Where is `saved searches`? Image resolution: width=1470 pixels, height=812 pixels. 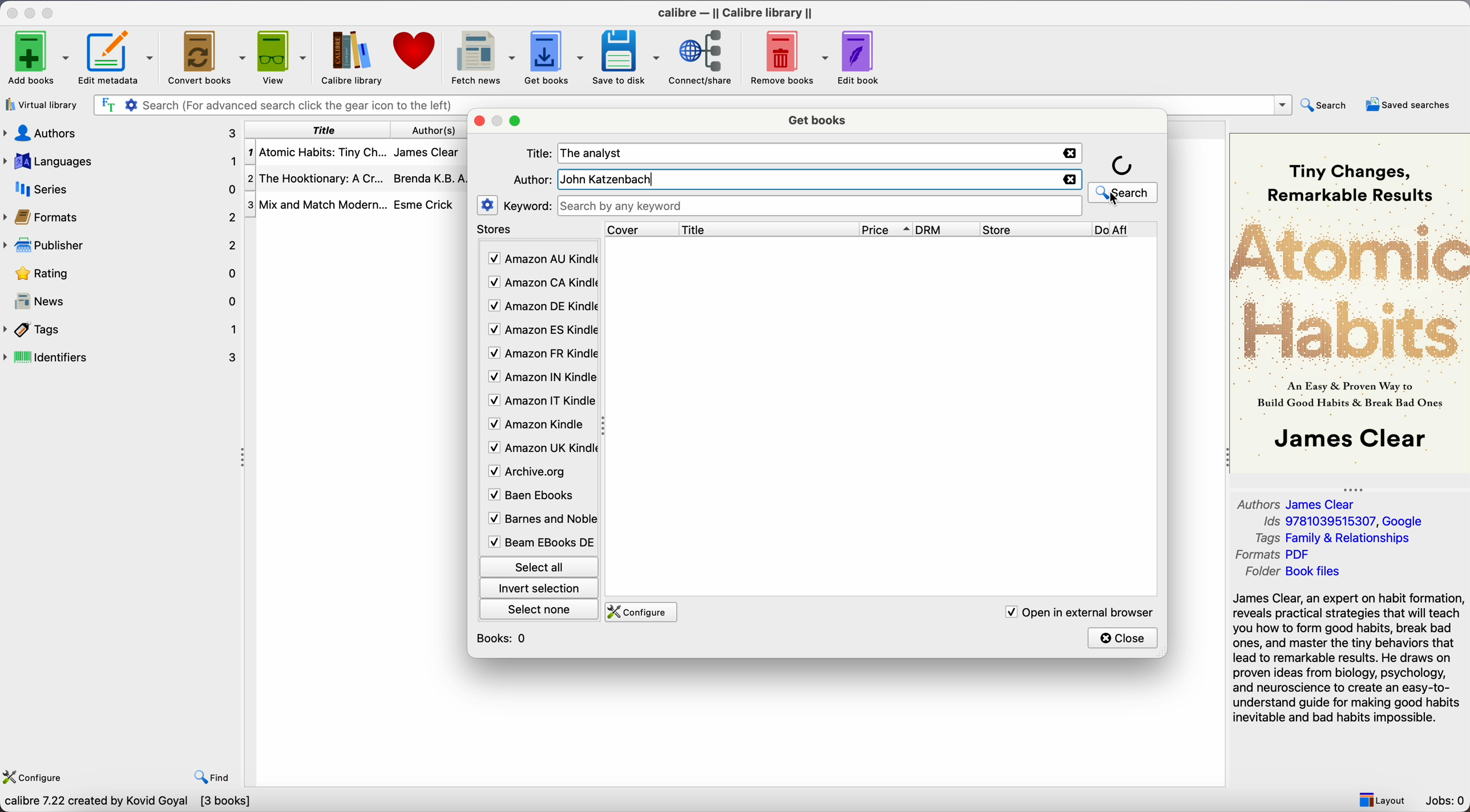
saved searches is located at coordinates (1408, 103).